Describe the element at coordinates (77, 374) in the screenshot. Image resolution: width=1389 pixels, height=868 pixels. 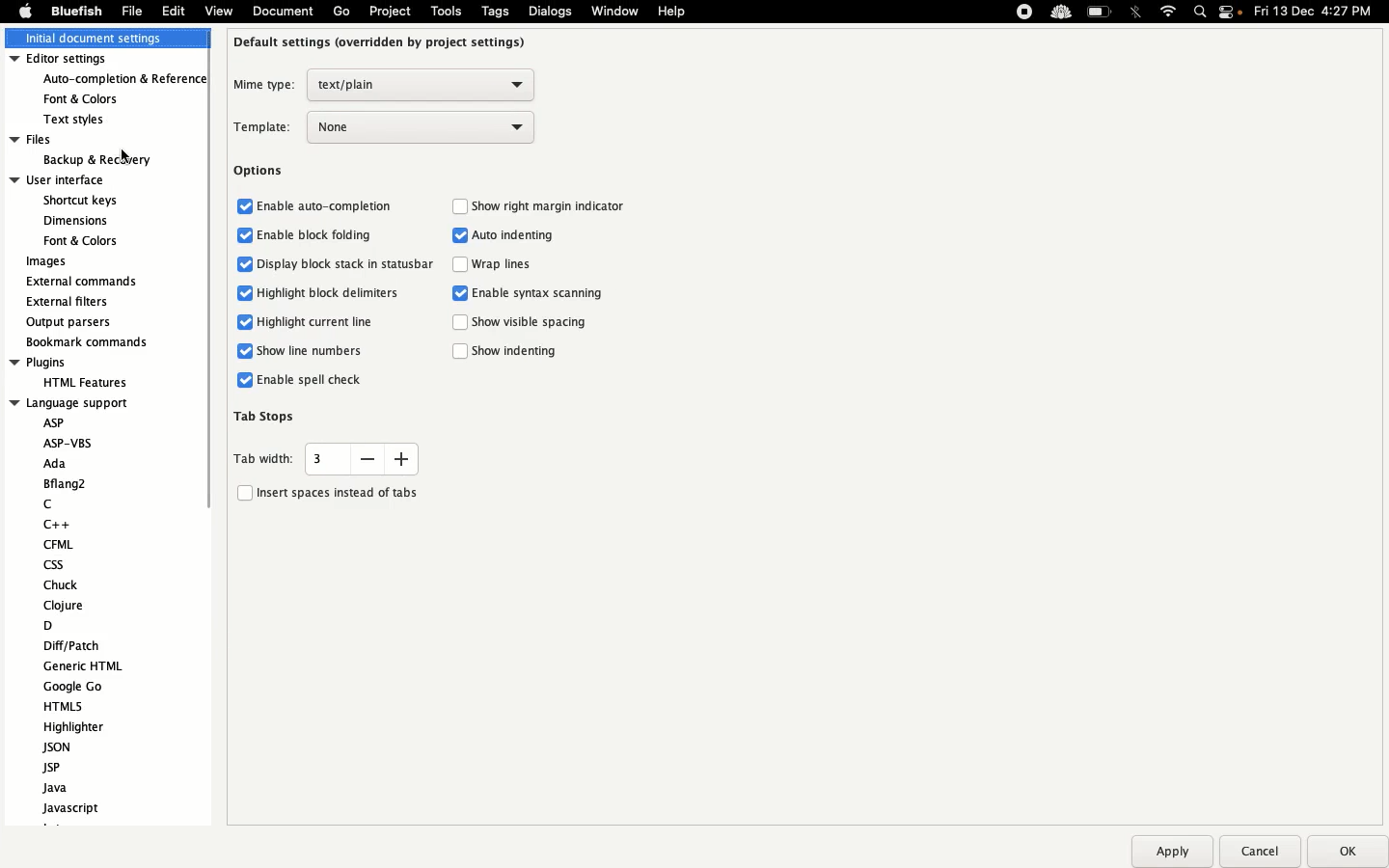
I see `Plugins ` at that location.